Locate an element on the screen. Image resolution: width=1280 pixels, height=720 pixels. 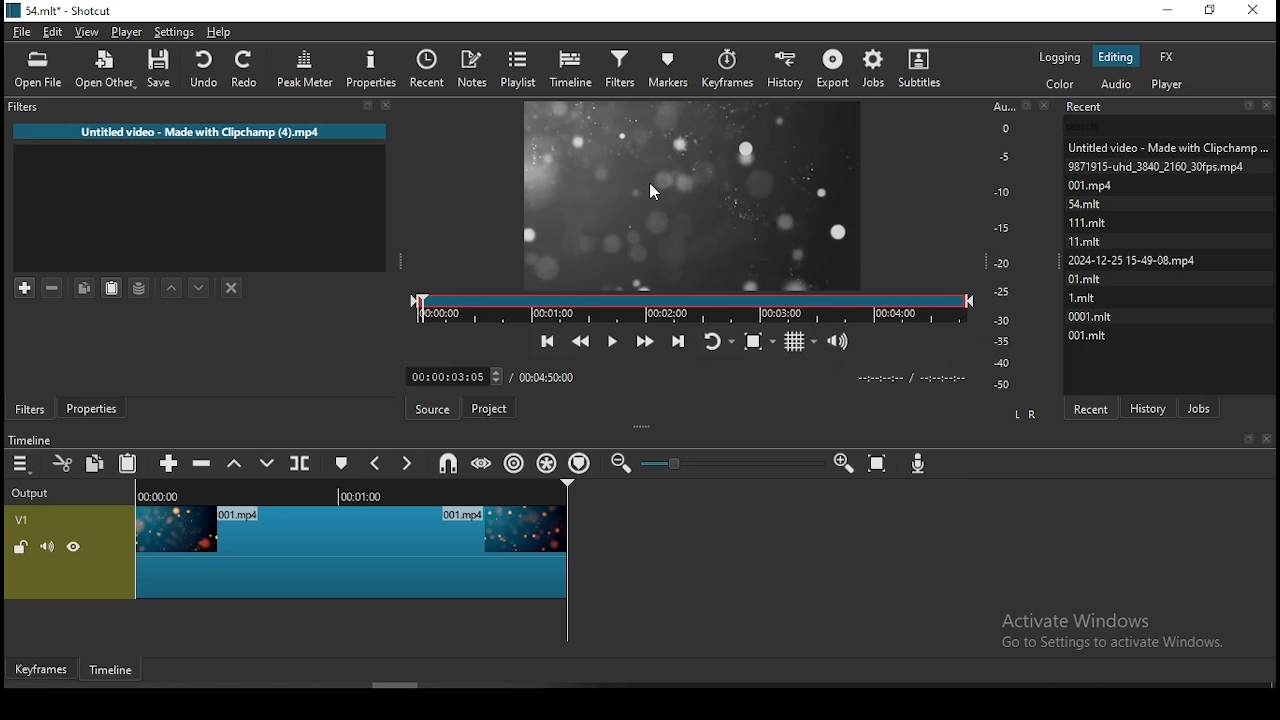
V1 is located at coordinates (22, 521).